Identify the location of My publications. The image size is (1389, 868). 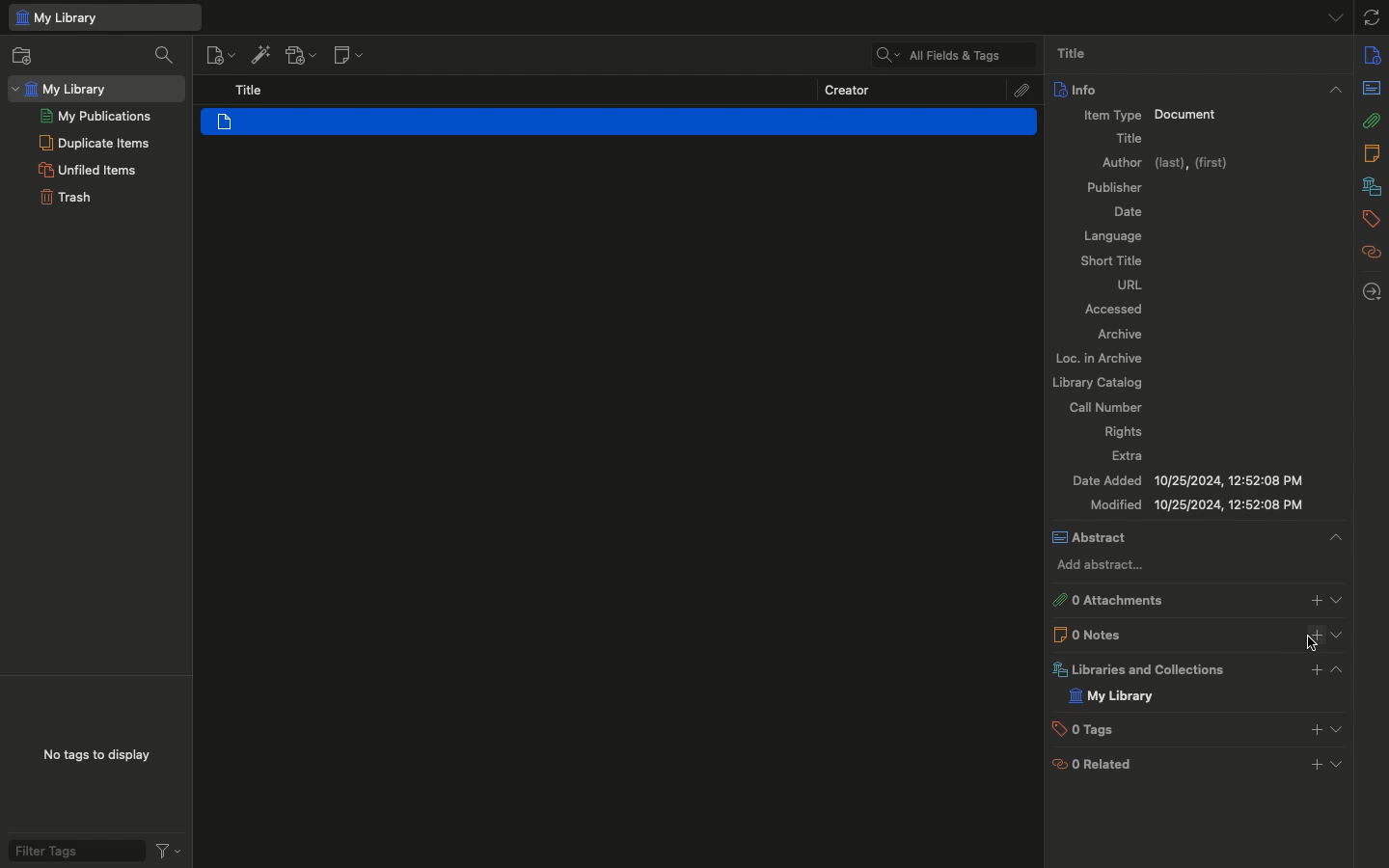
(95, 116).